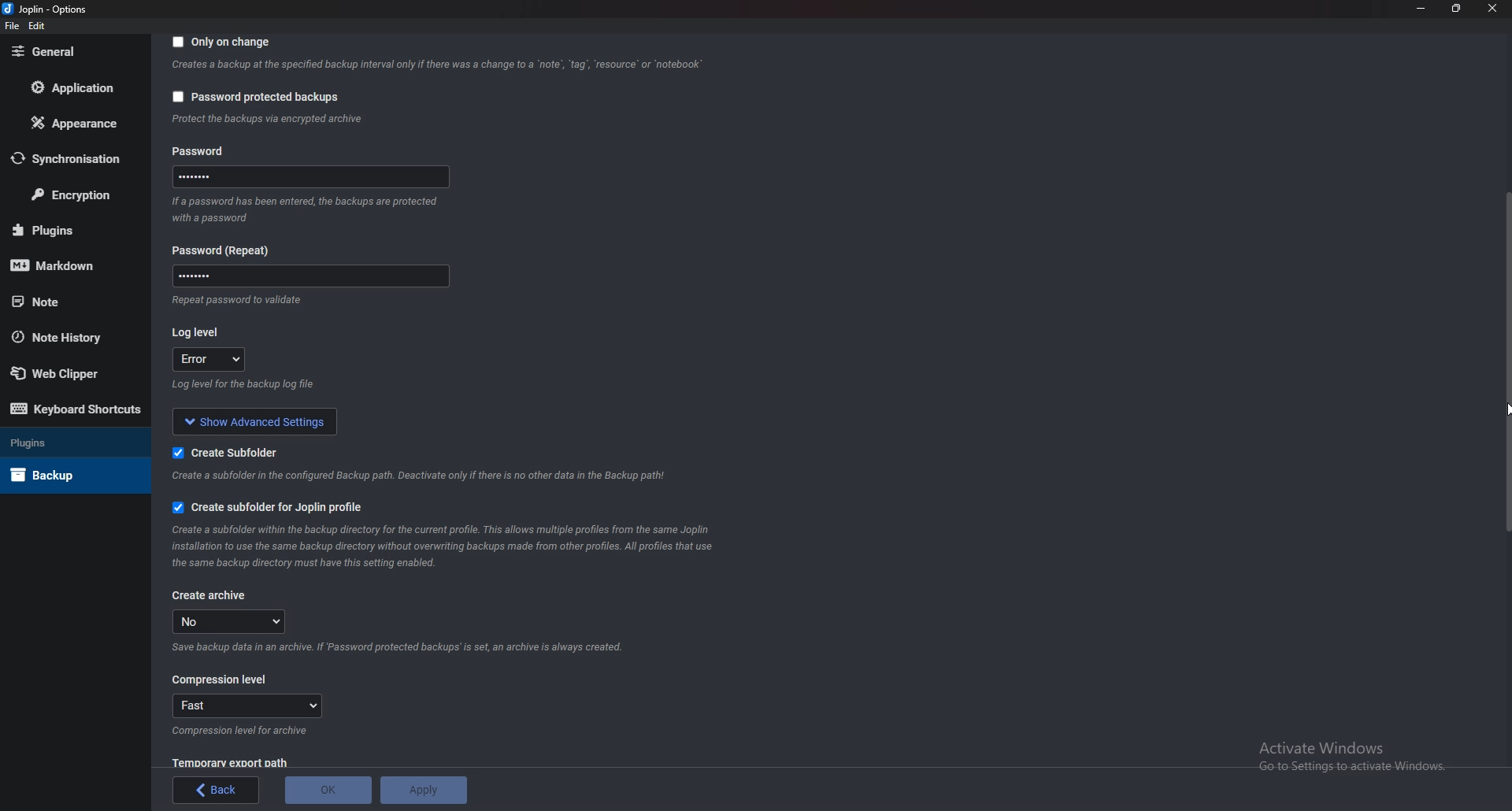 The width and height of the screenshot is (1512, 811). What do you see at coordinates (227, 250) in the screenshot?
I see `Password` at bounding box center [227, 250].